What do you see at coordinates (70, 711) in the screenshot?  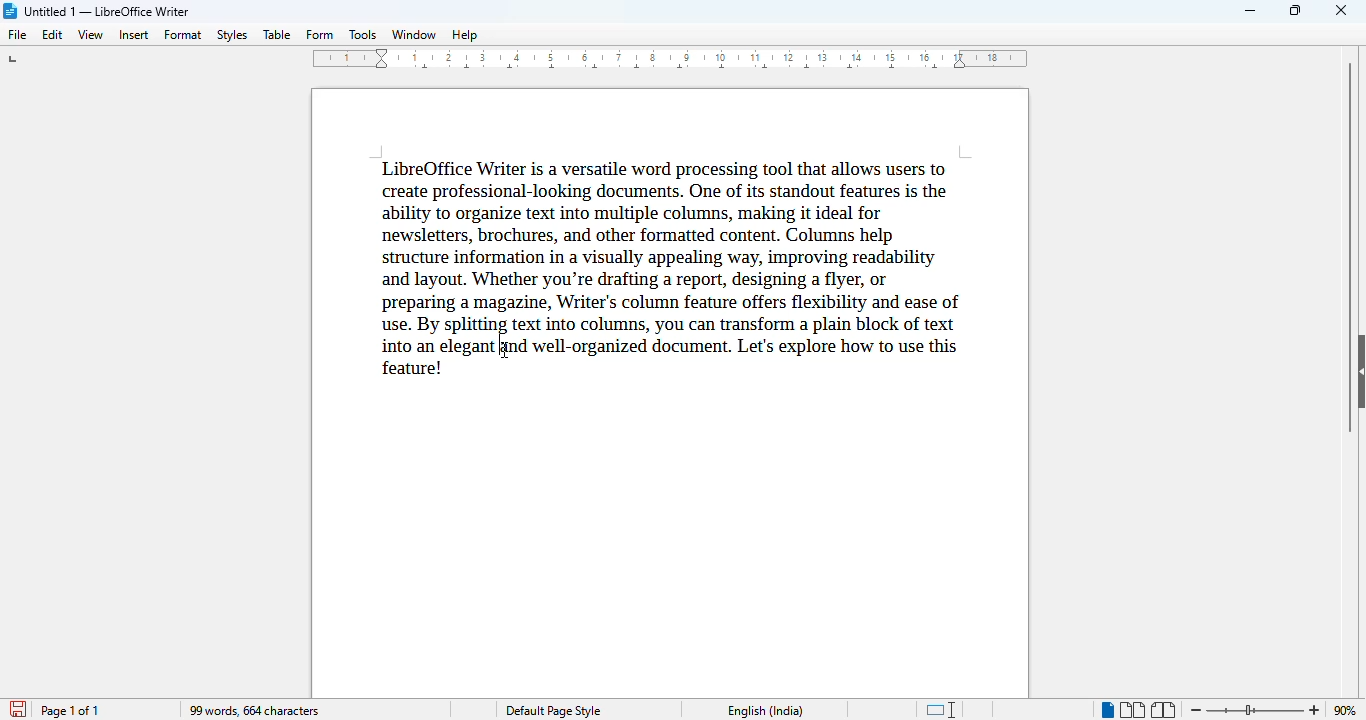 I see `page 1 of 1` at bounding box center [70, 711].